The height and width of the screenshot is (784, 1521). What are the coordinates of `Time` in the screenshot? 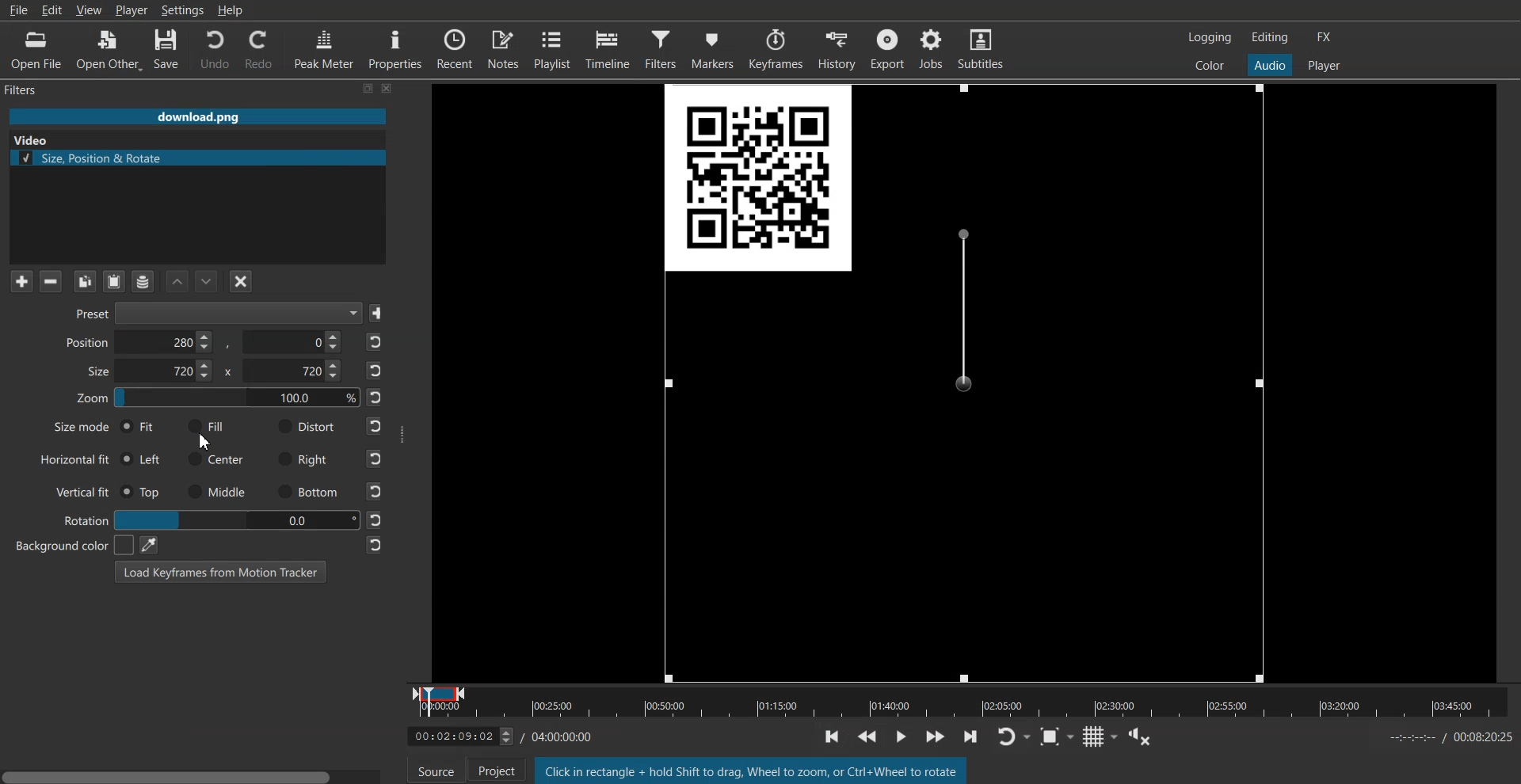 It's located at (563, 735).